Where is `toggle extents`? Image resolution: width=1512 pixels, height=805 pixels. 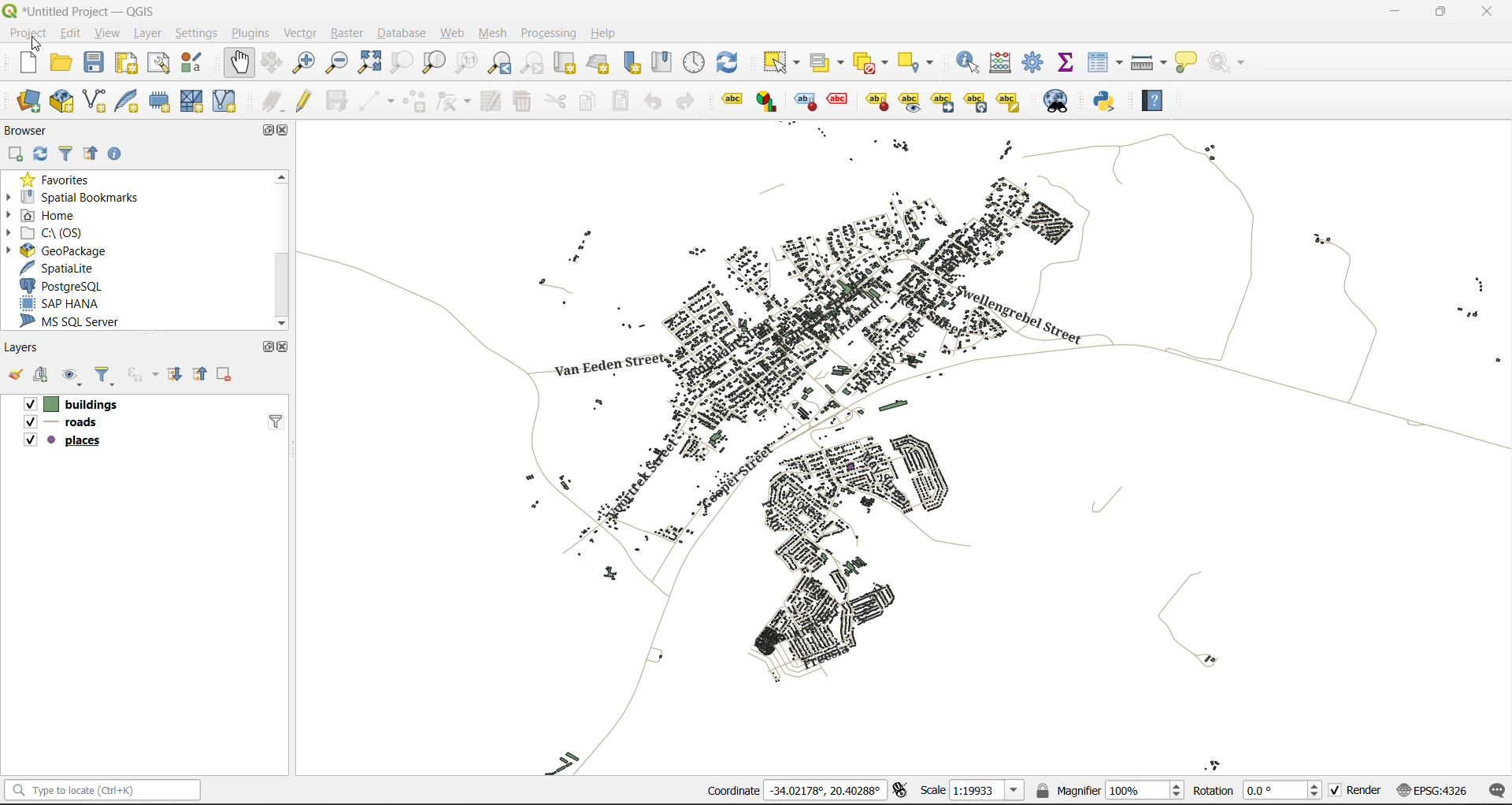
toggle extents is located at coordinates (899, 791).